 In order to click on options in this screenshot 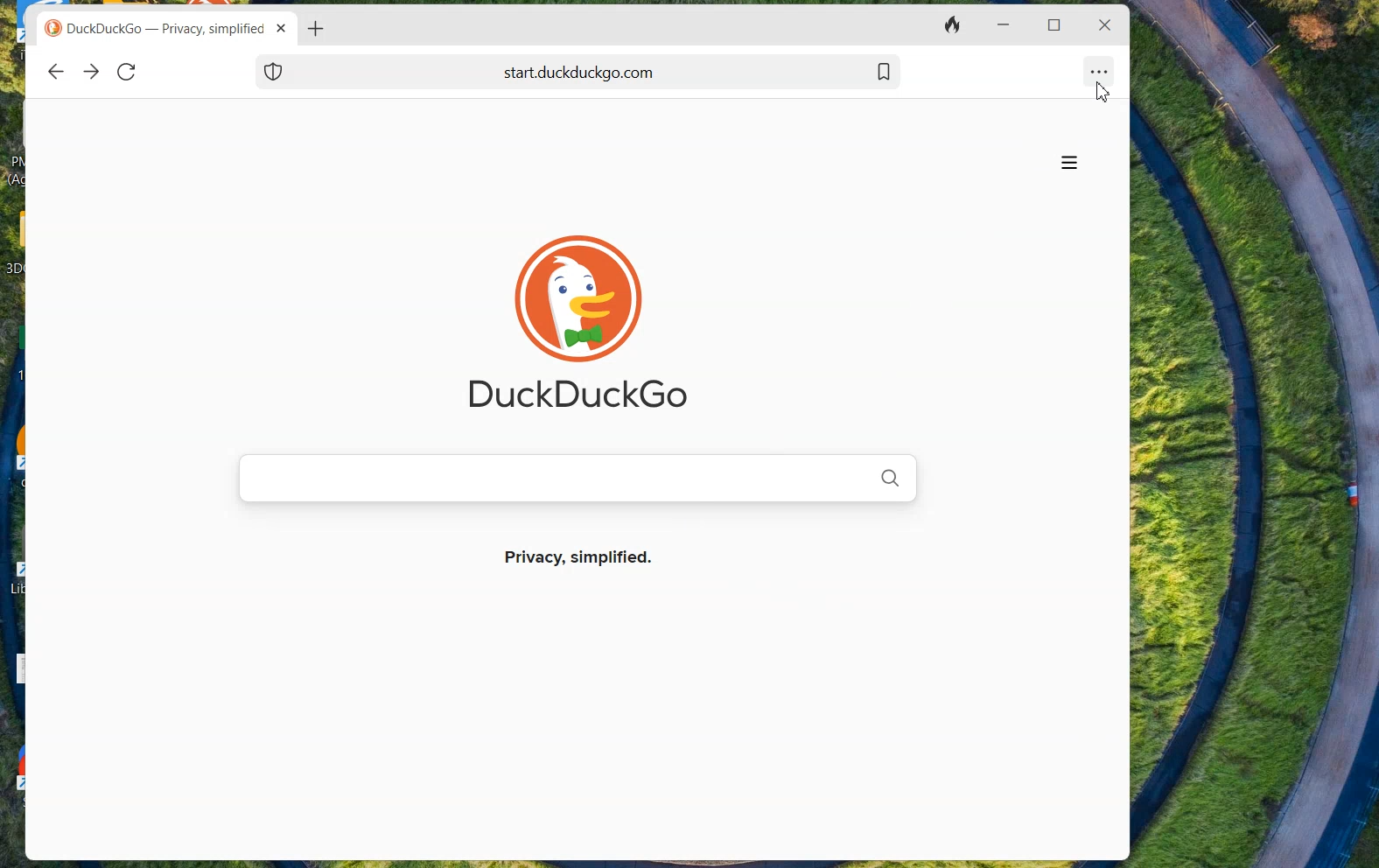, I will do `click(1068, 164)`.